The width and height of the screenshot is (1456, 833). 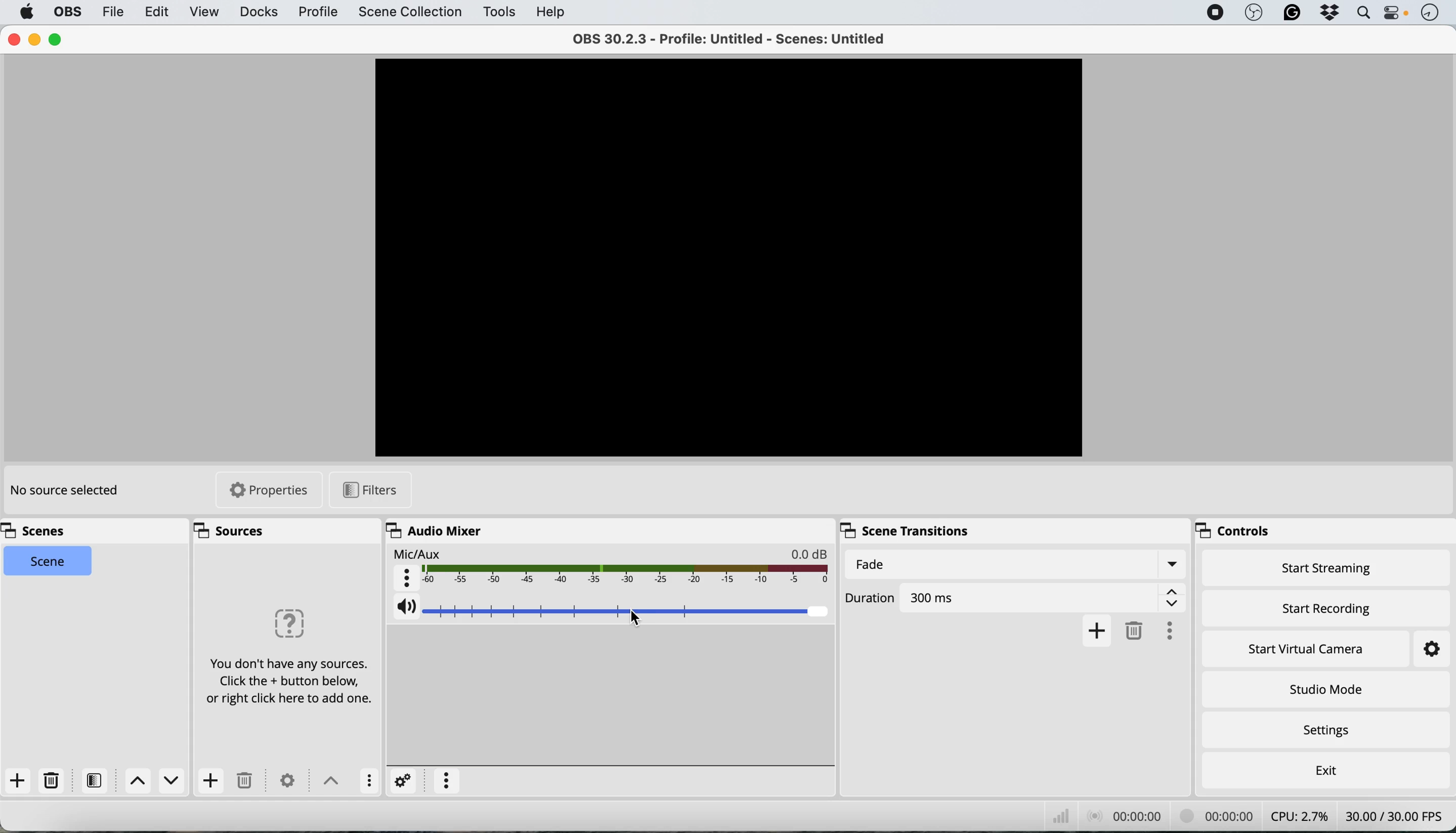 I want to click on view, so click(x=201, y=11).